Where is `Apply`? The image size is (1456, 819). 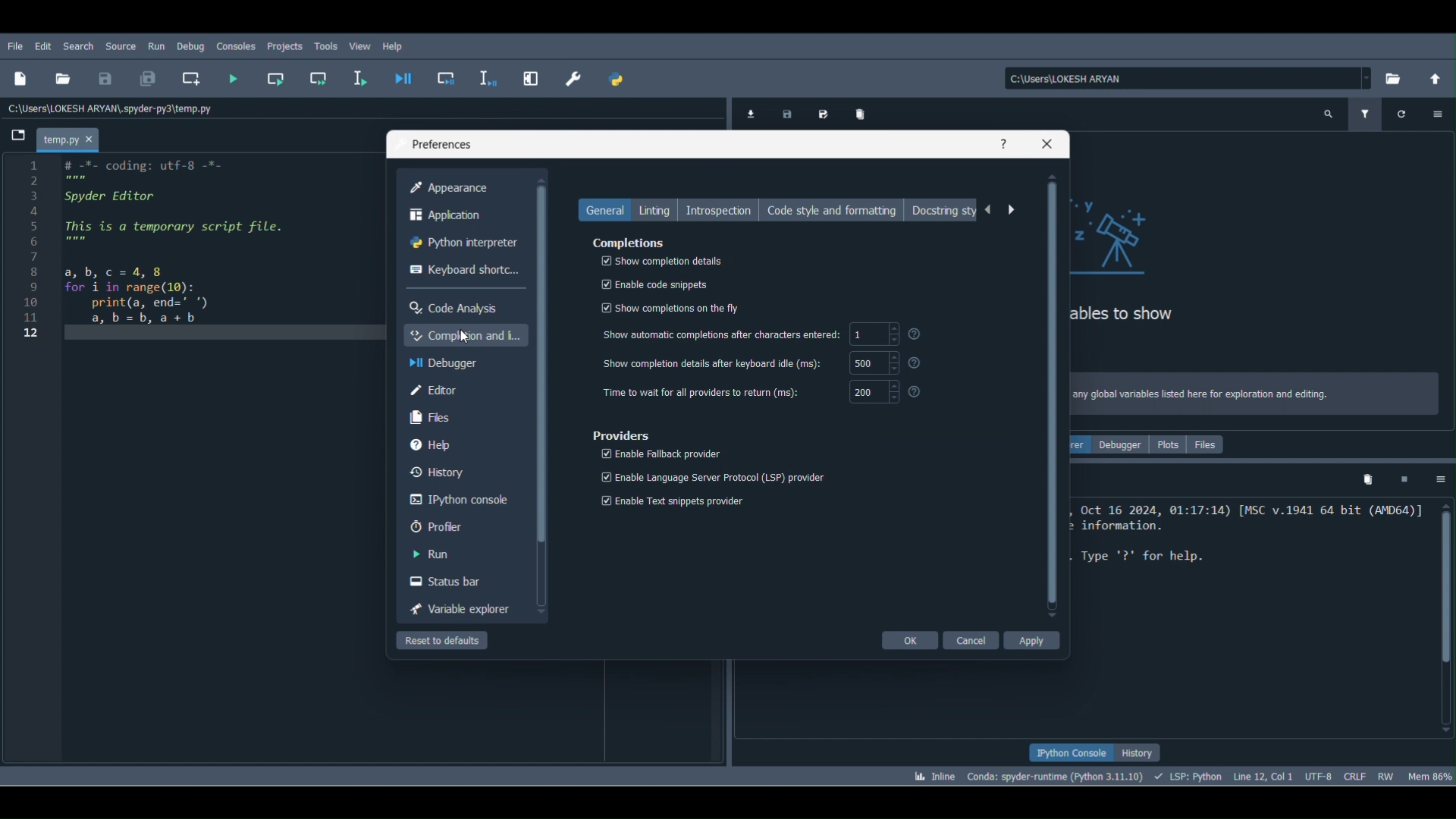 Apply is located at coordinates (1032, 641).